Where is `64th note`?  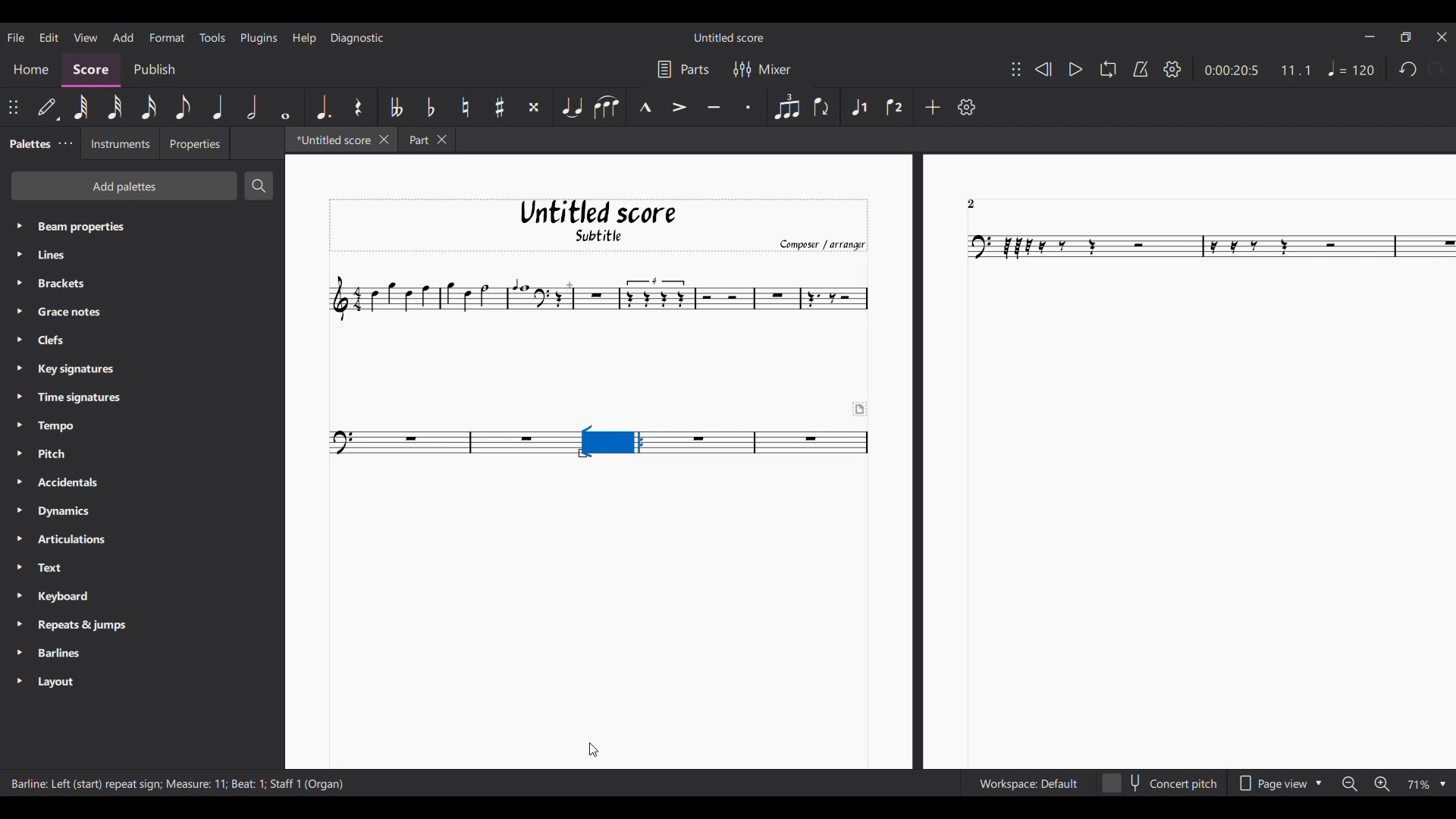
64th note is located at coordinates (80, 107).